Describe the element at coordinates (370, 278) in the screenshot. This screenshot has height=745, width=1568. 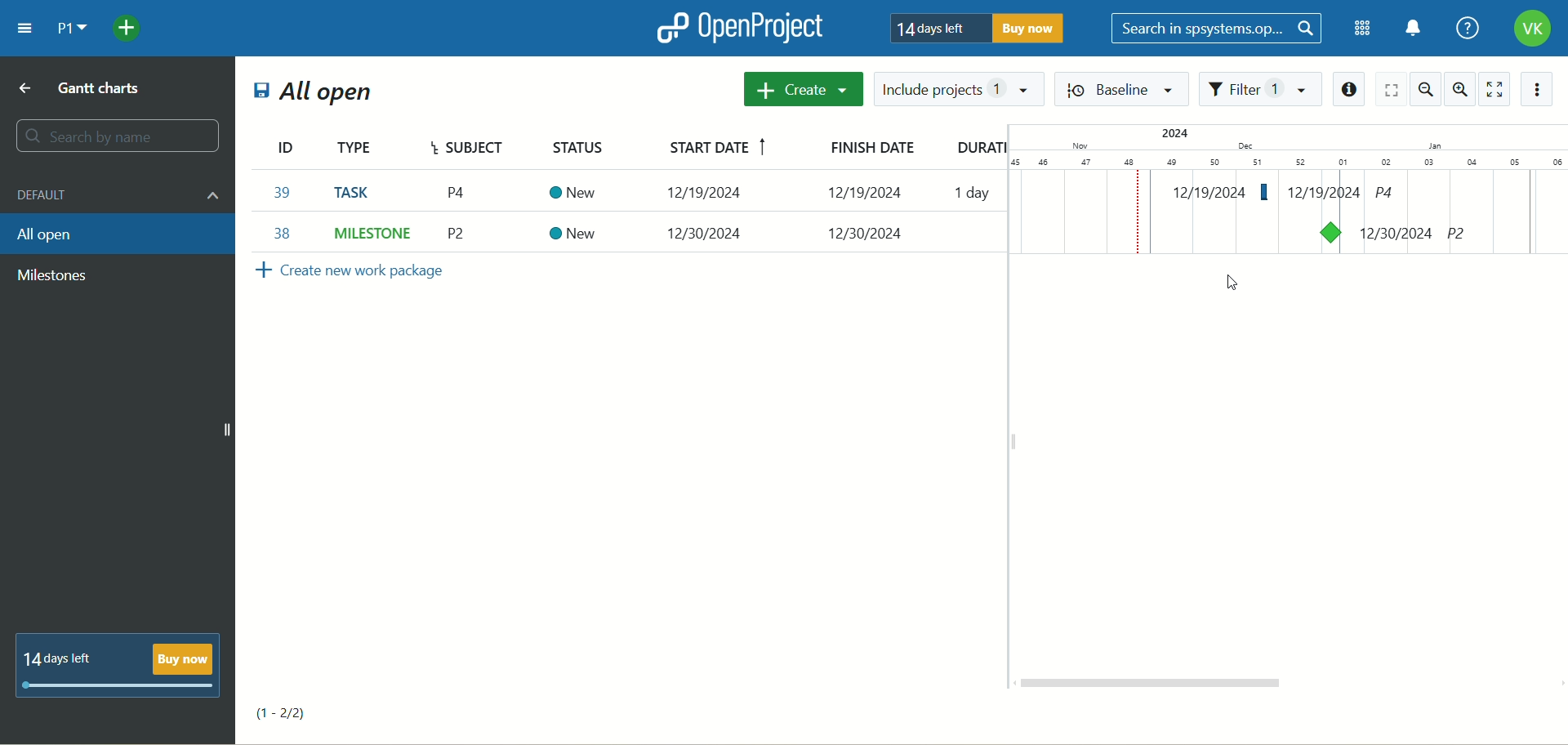
I see `create new work package` at that location.